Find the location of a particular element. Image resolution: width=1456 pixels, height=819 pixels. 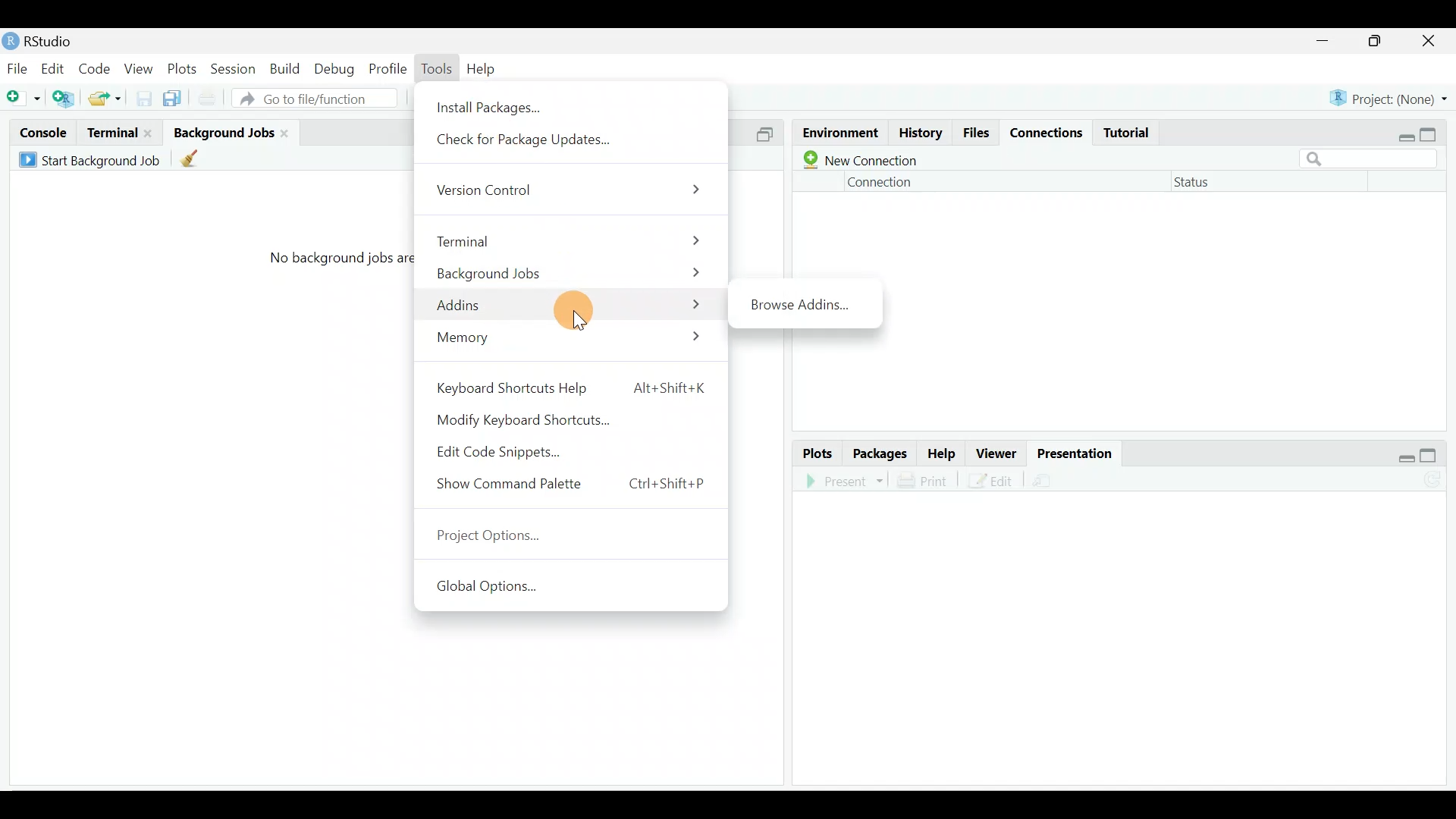

maximize is located at coordinates (1432, 451).